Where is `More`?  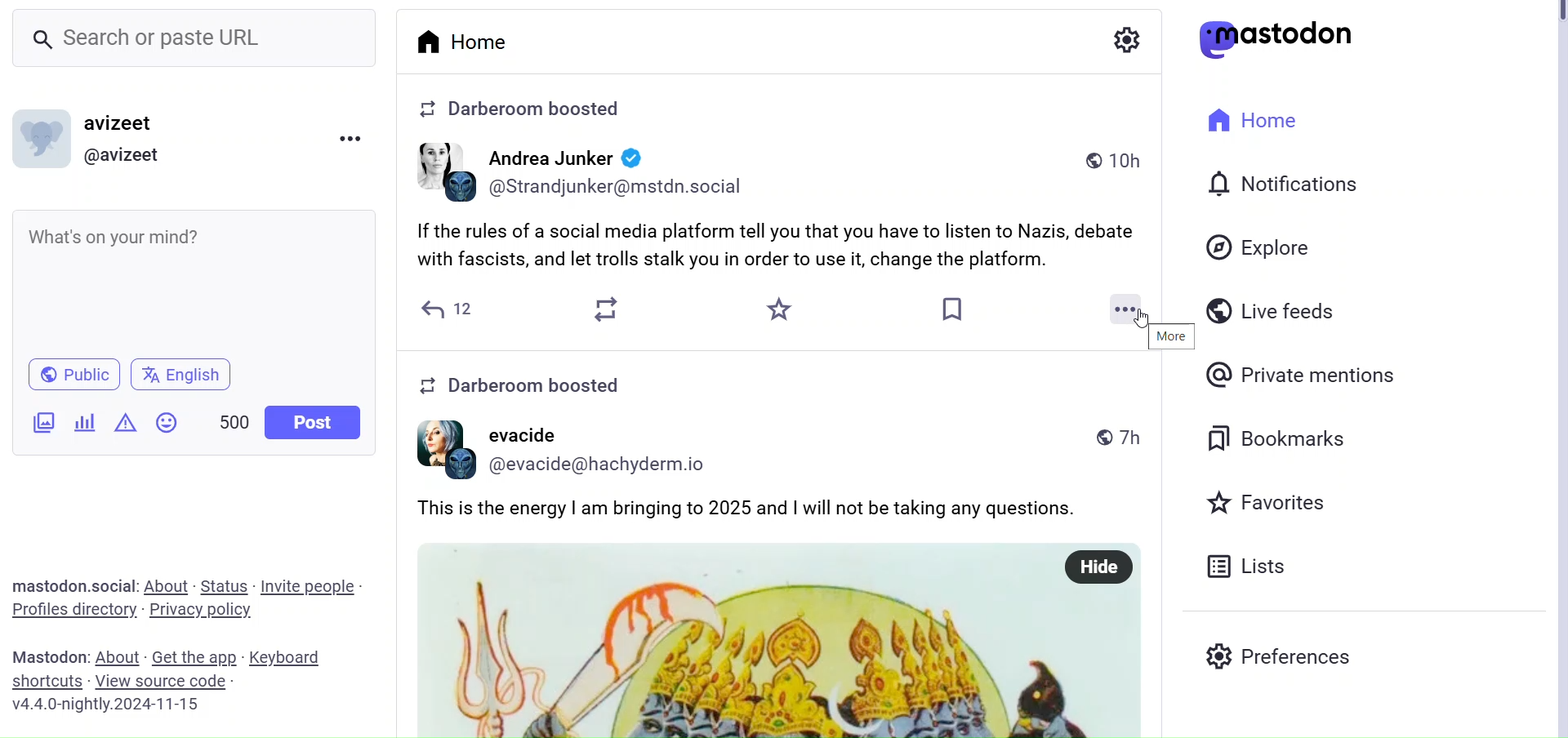
More is located at coordinates (1173, 336).